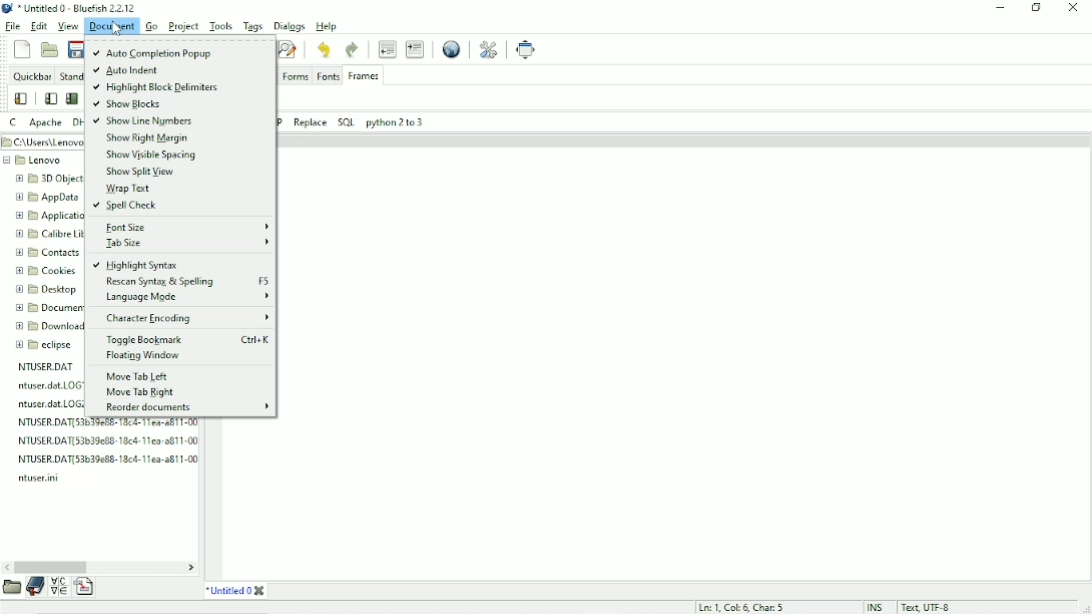  I want to click on Show right margin, so click(146, 139).